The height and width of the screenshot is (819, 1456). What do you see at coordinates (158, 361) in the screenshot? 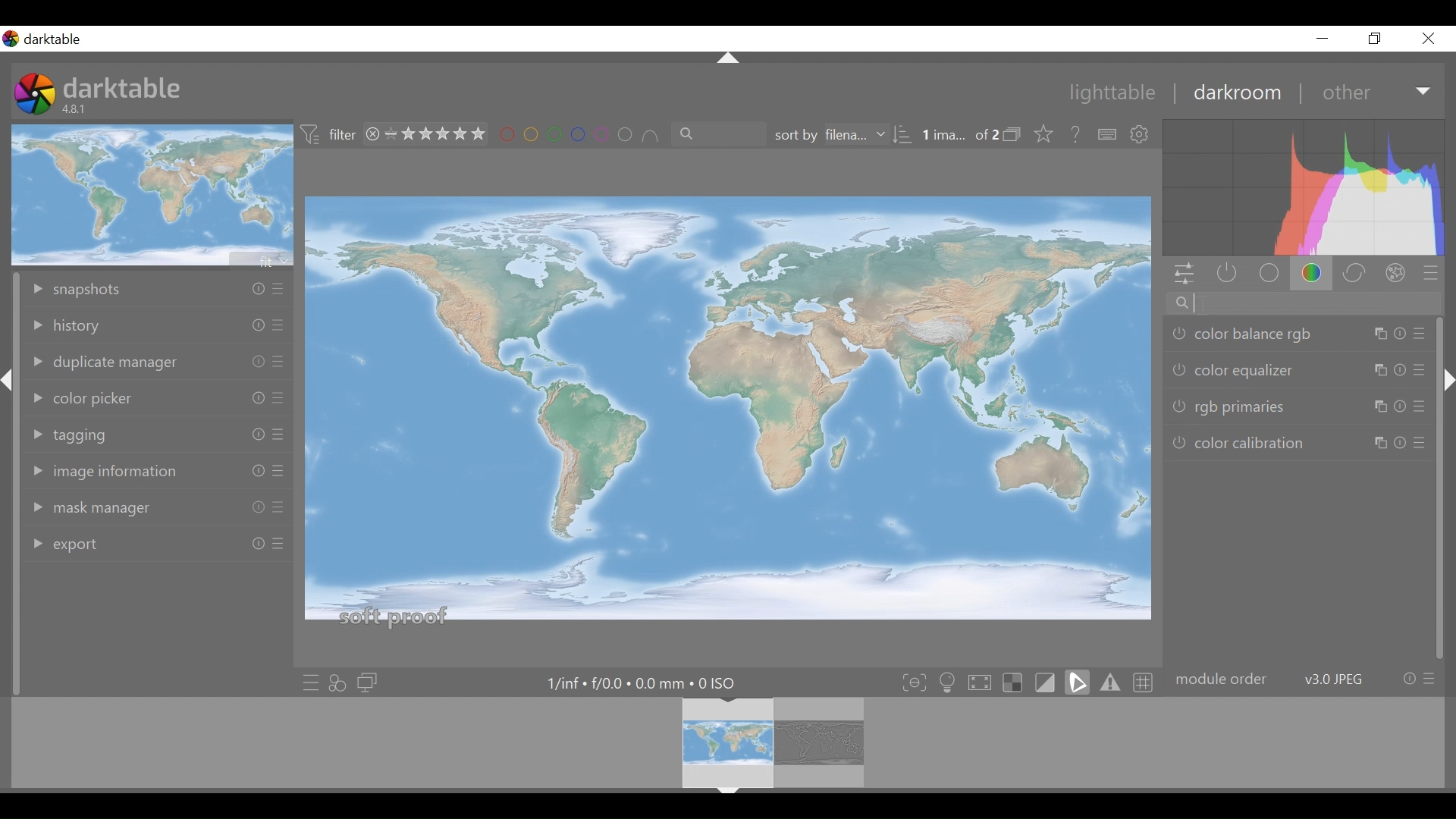
I see `duplicate manager` at bounding box center [158, 361].